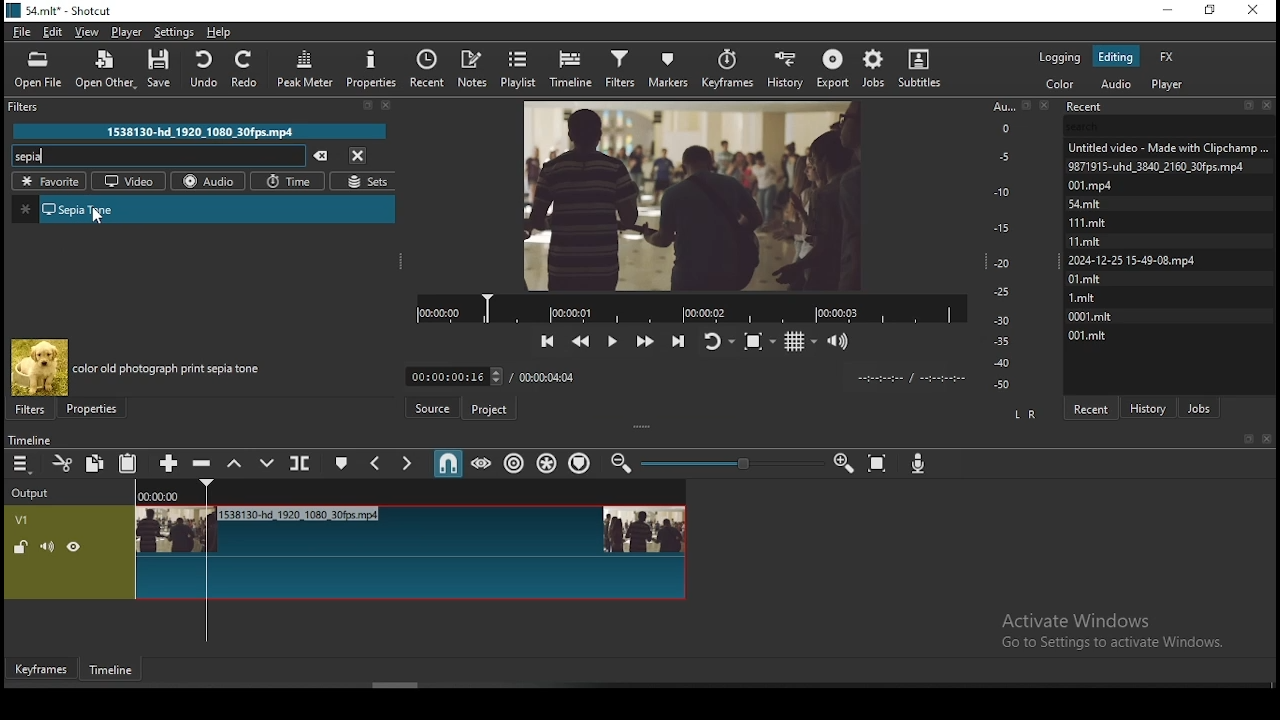  I want to click on video preview, so click(682, 193).